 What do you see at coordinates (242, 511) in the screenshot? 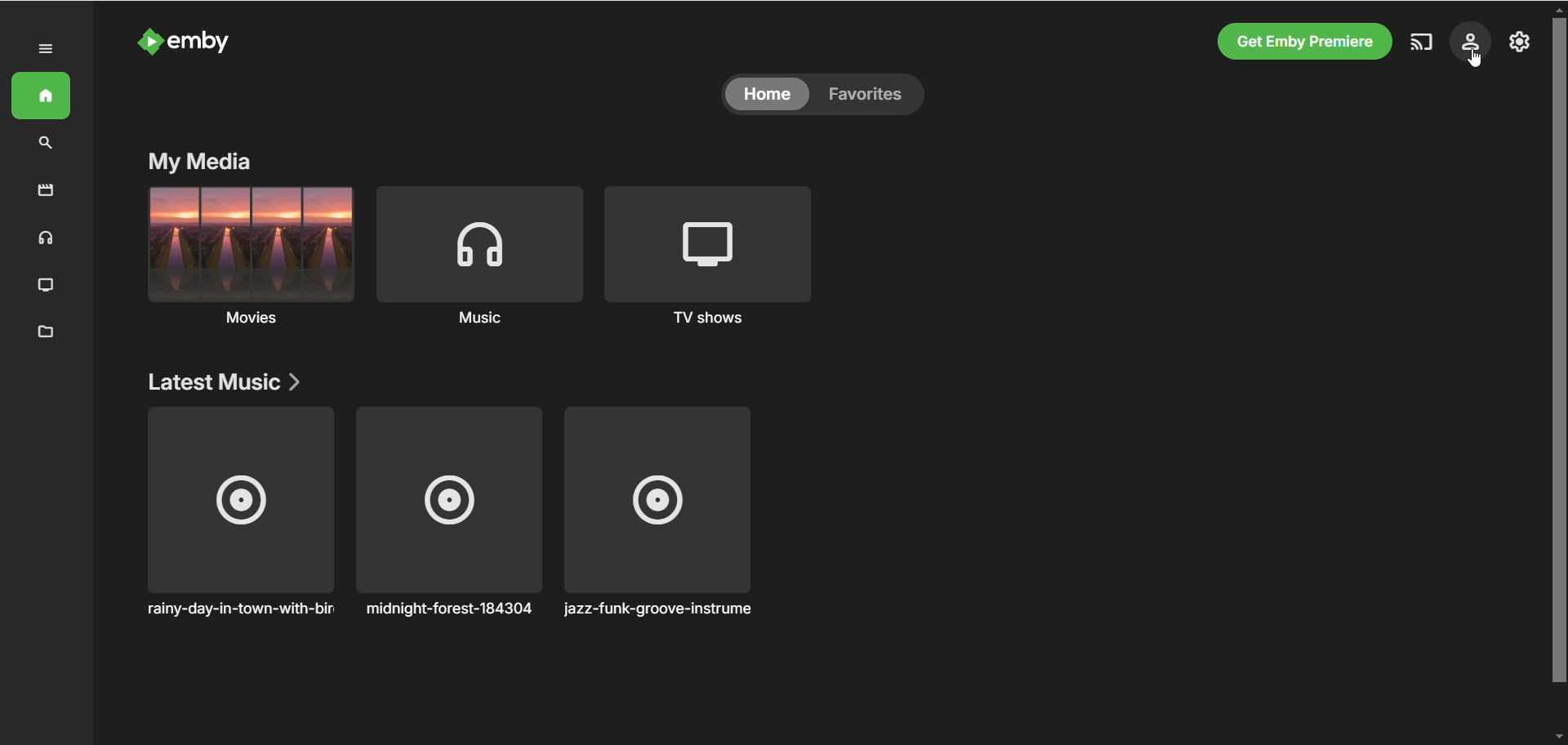
I see `rainy-day-in-town-with-birds` at bounding box center [242, 511].